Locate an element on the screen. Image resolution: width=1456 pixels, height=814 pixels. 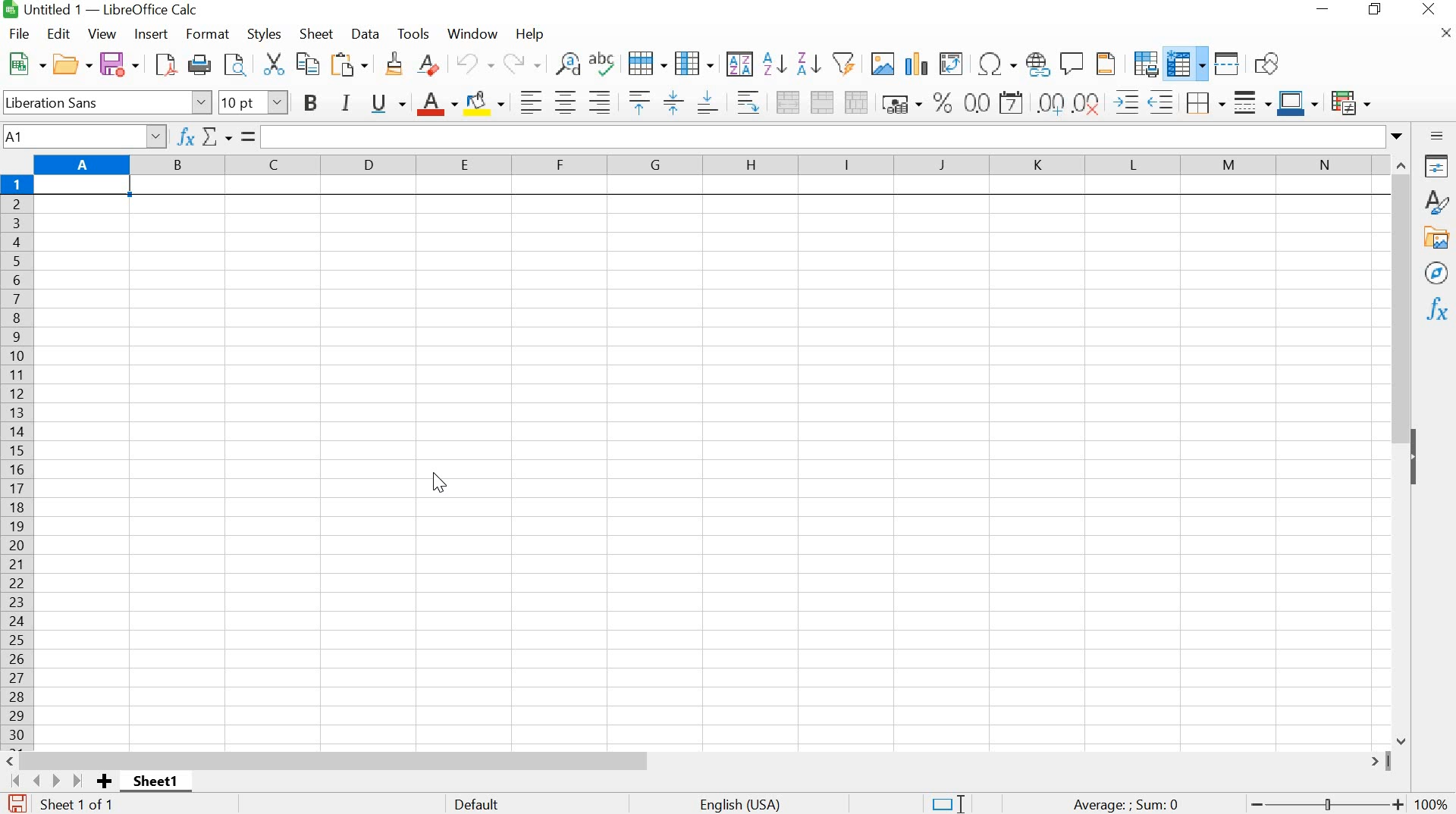
FONT COLOR is located at coordinates (436, 104).